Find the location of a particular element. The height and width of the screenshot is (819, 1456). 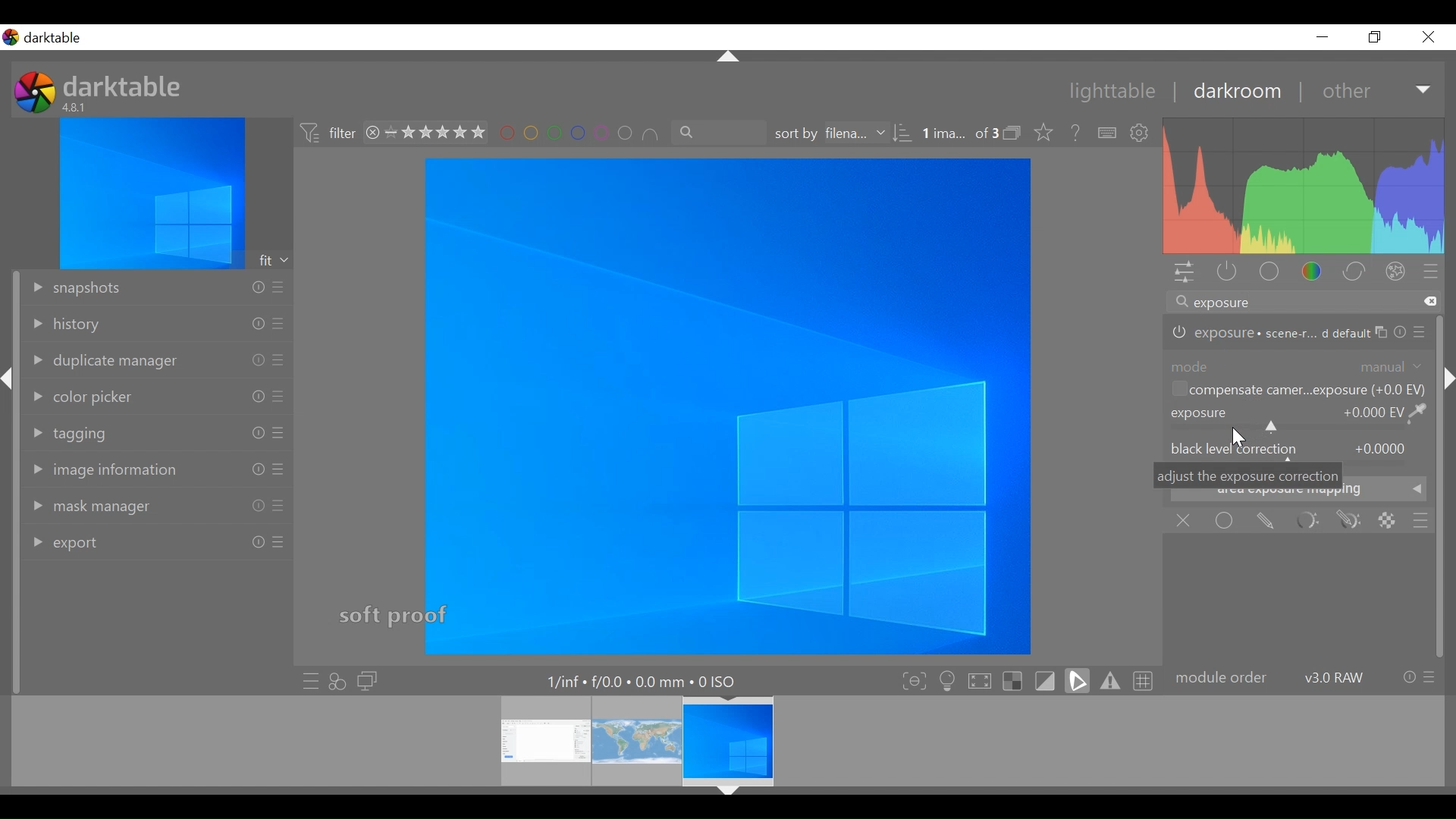

show global preferences is located at coordinates (1141, 134).